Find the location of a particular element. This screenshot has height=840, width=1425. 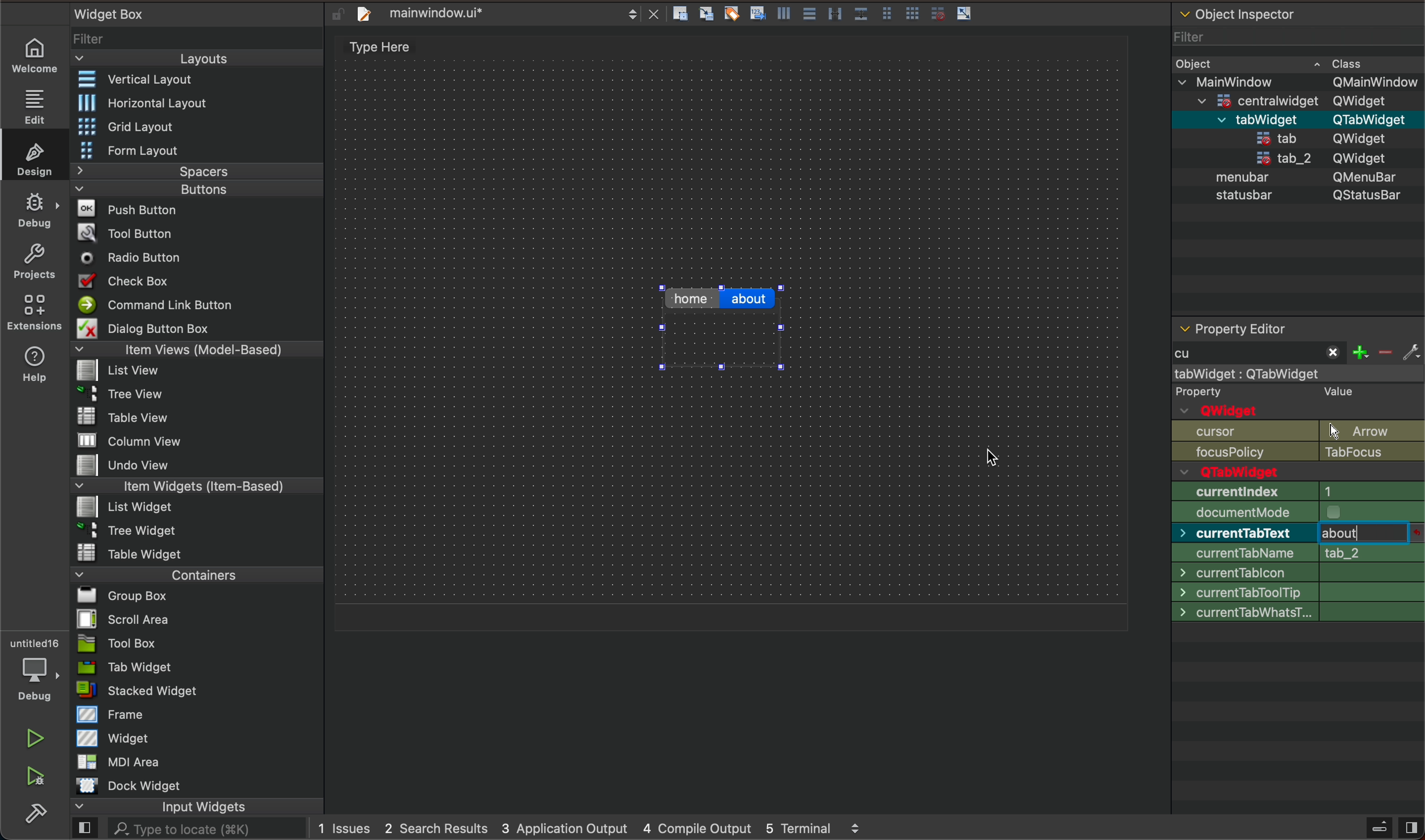

cursor is located at coordinates (992, 462).